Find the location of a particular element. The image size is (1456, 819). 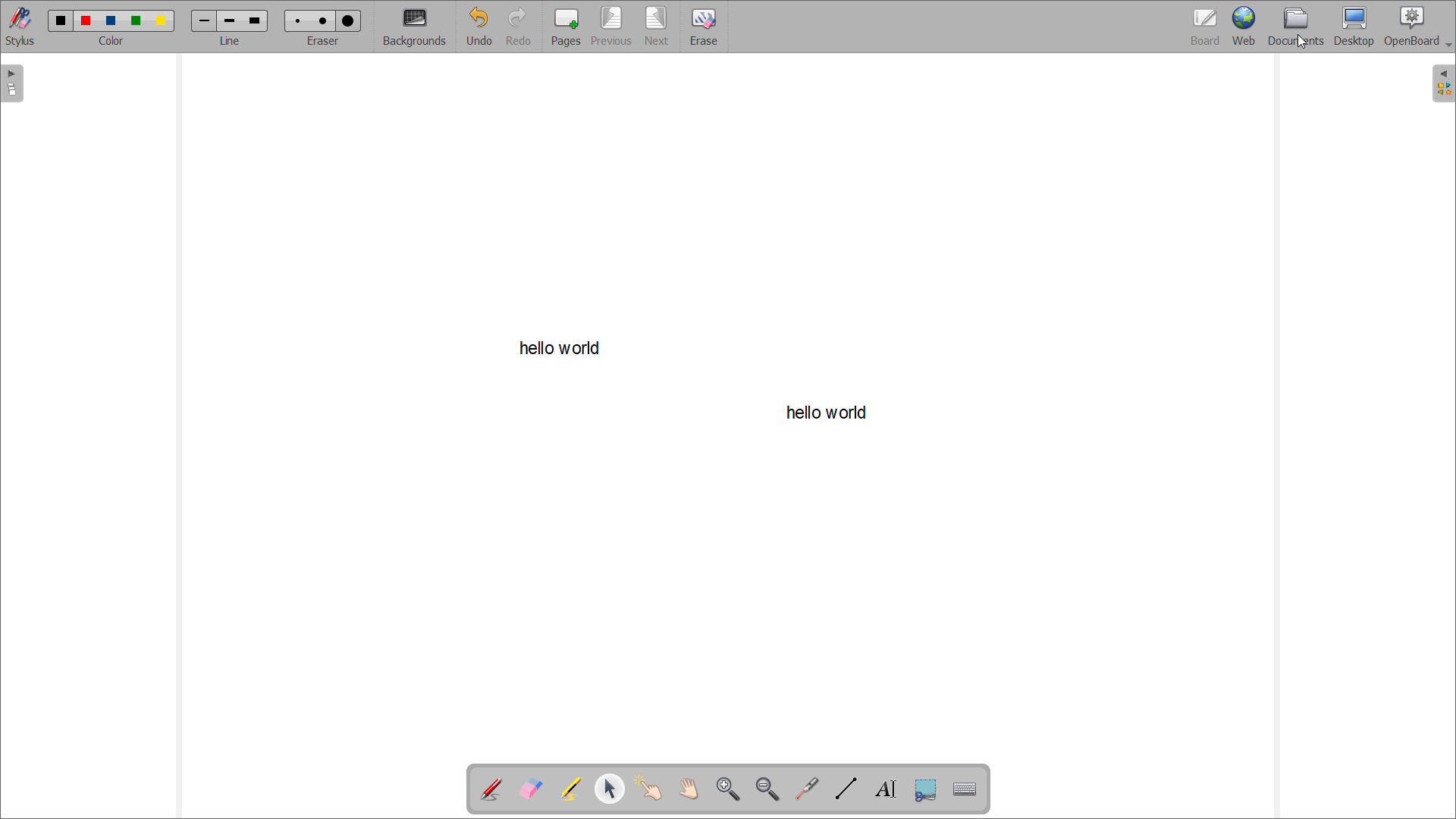

board is located at coordinates (1203, 27).